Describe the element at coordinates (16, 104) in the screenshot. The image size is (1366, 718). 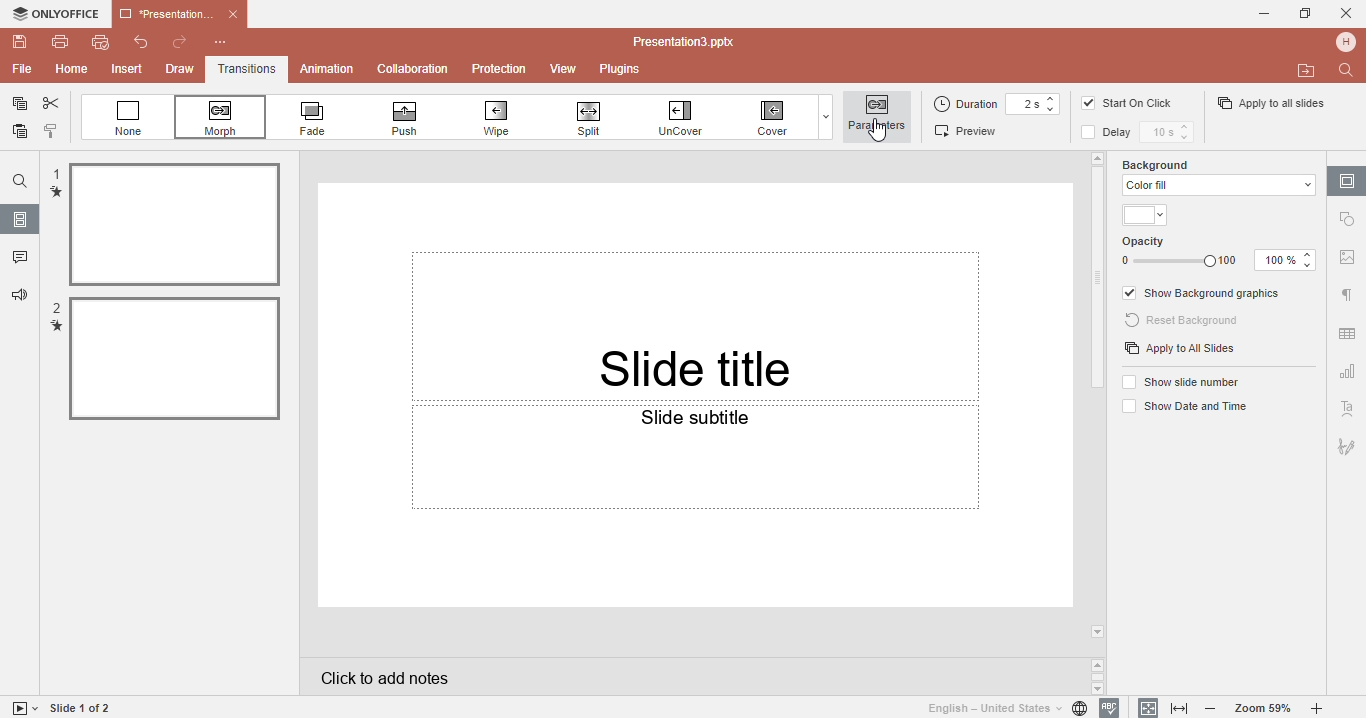
I see `Copy` at that location.